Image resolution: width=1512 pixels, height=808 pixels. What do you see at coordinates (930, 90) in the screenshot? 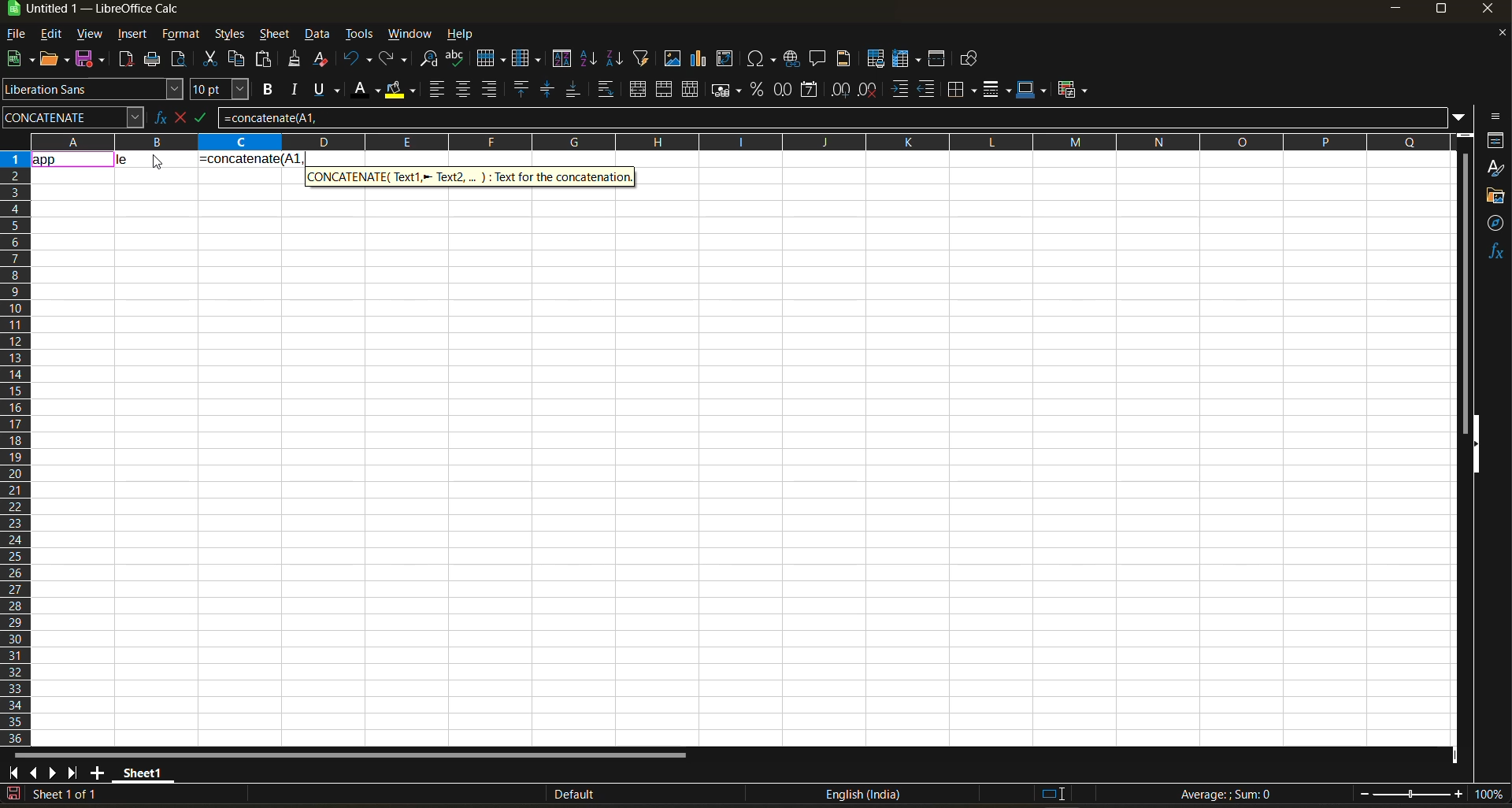
I see `decrease indent` at bounding box center [930, 90].